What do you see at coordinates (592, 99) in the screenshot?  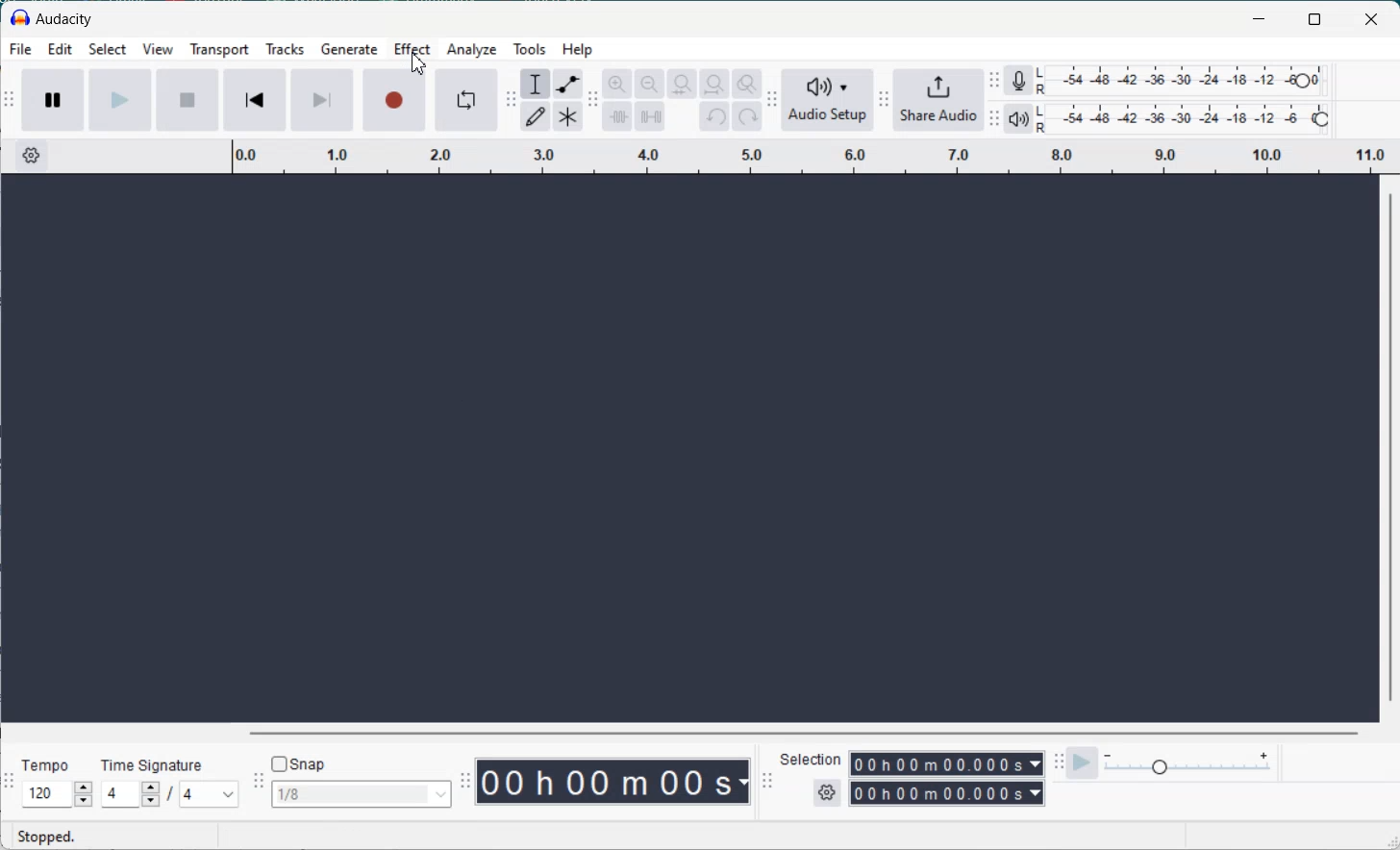 I see `Audacity edit toolbar` at bounding box center [592, 99].